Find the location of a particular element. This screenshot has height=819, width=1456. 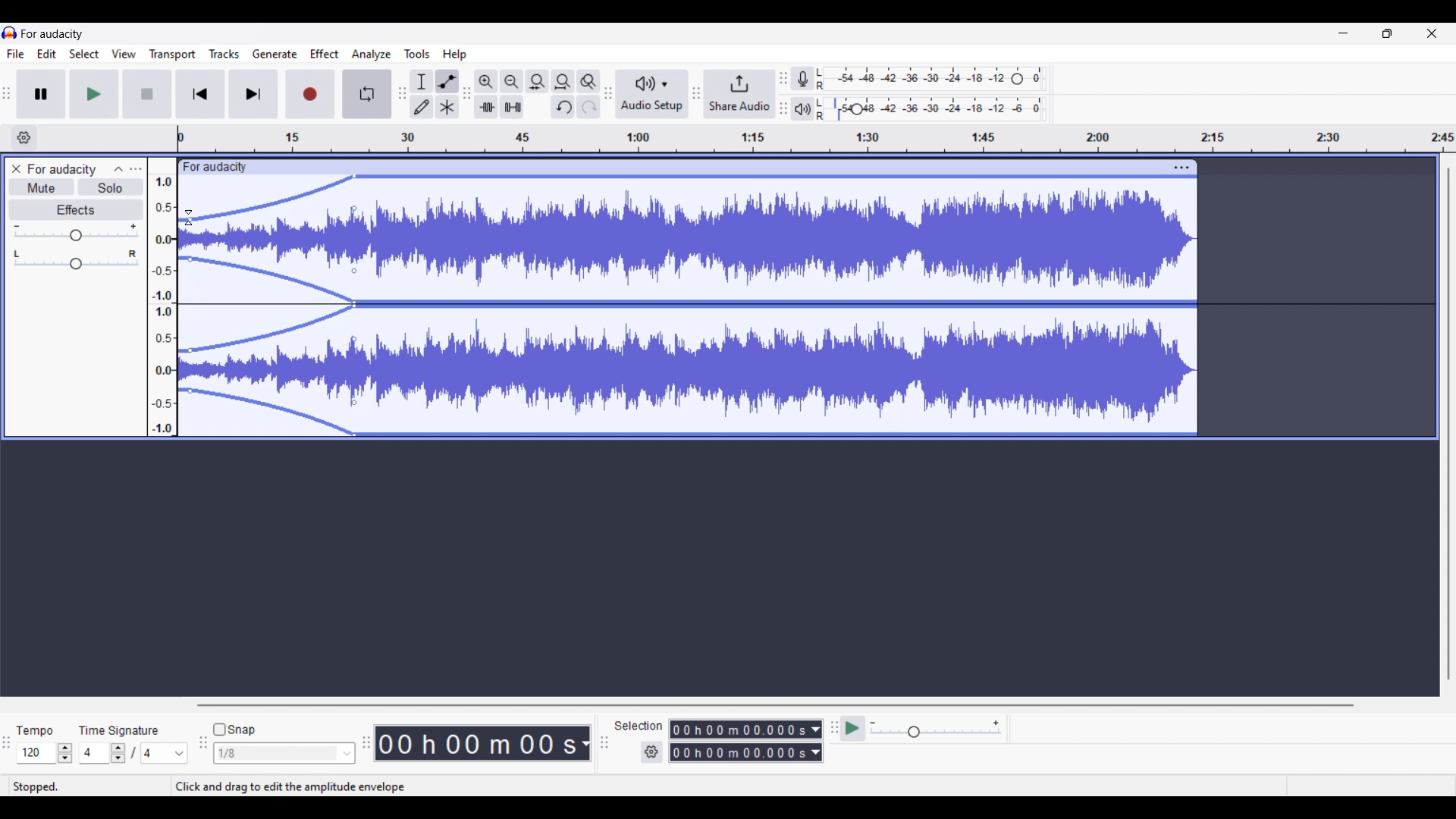

Pan slider is located at coordinates (75, 260).